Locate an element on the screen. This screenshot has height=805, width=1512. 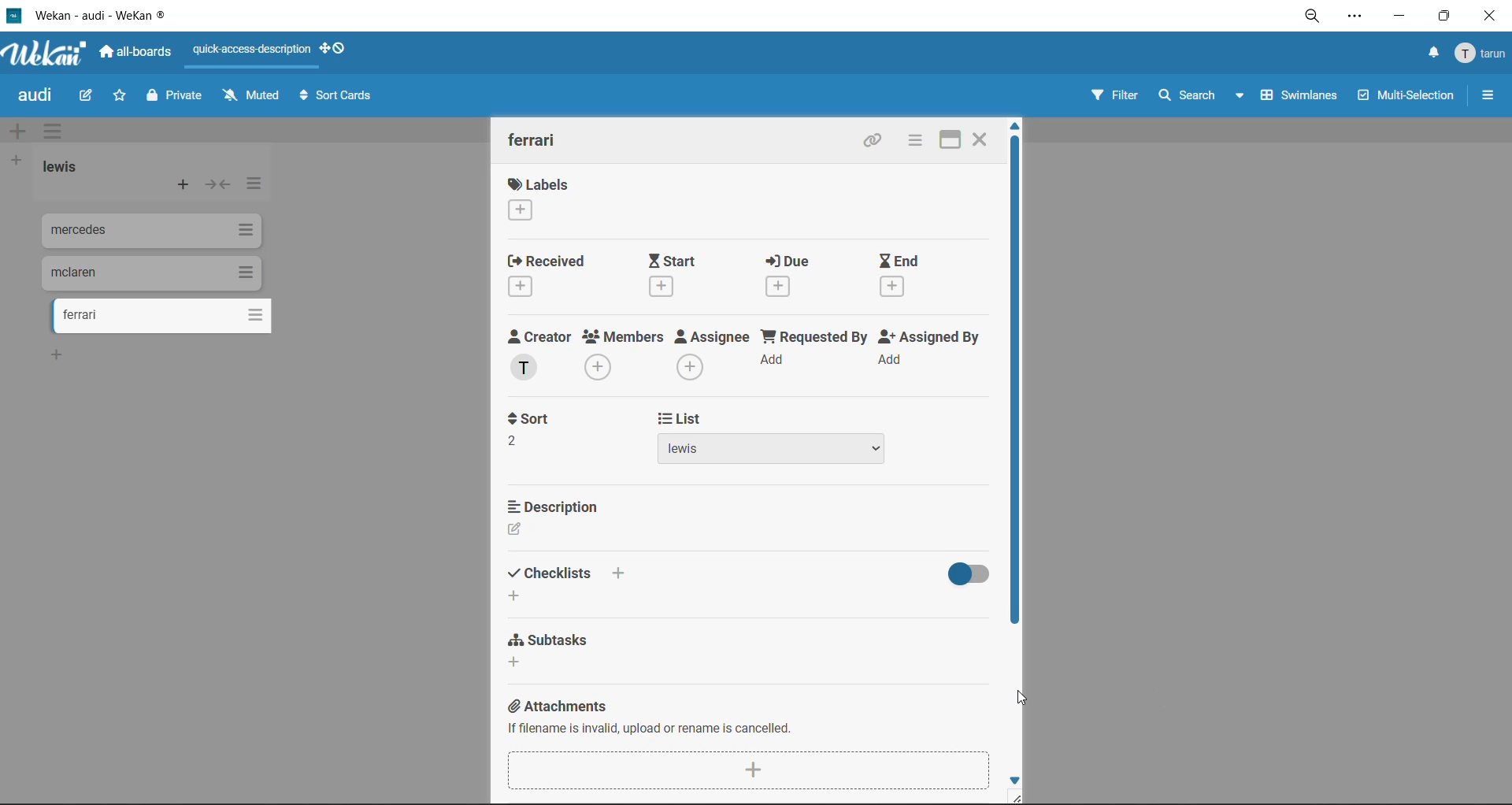
maximize is located at coordinates (1443, 17).